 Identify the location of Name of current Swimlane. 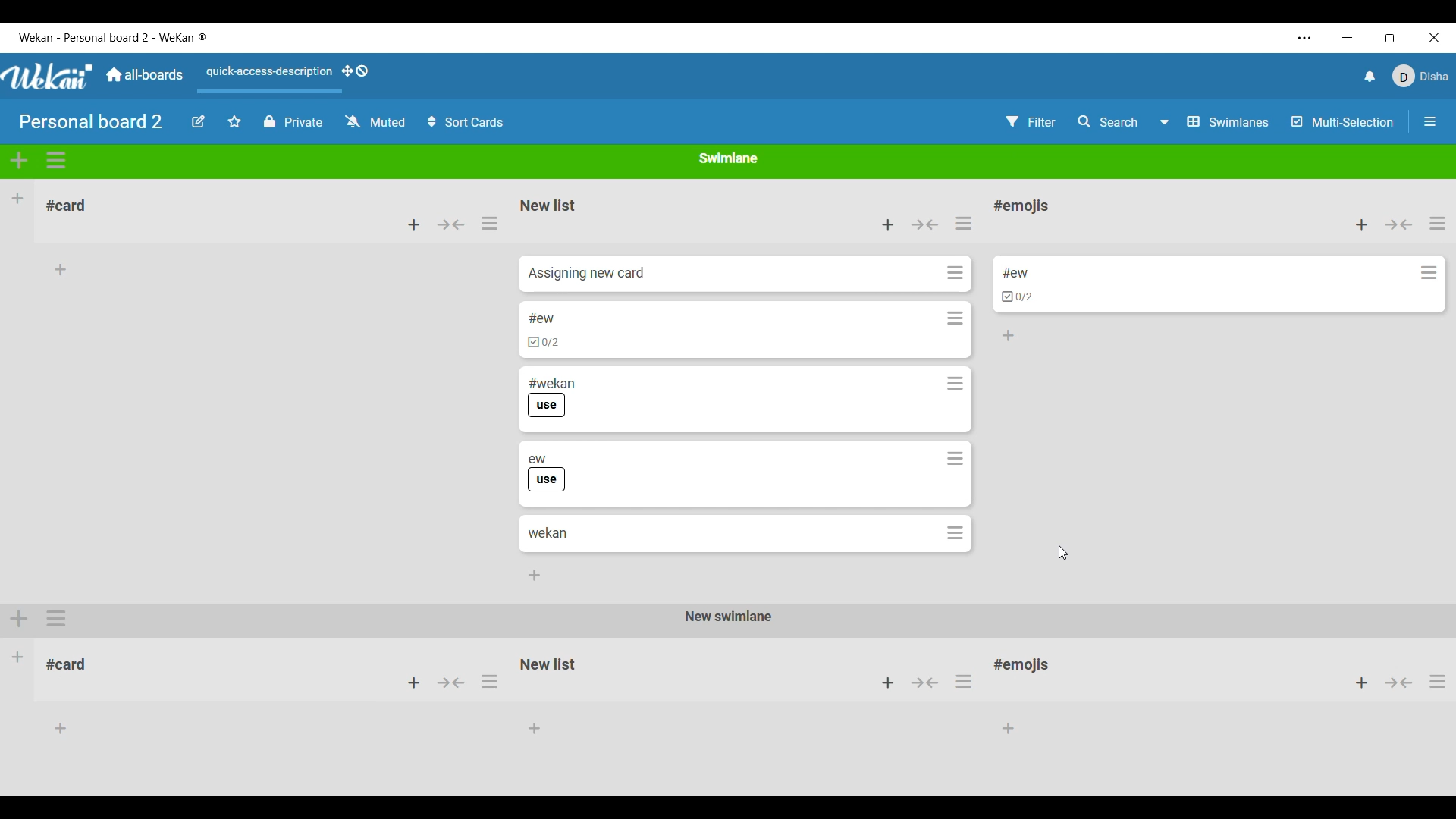
(730, 157).